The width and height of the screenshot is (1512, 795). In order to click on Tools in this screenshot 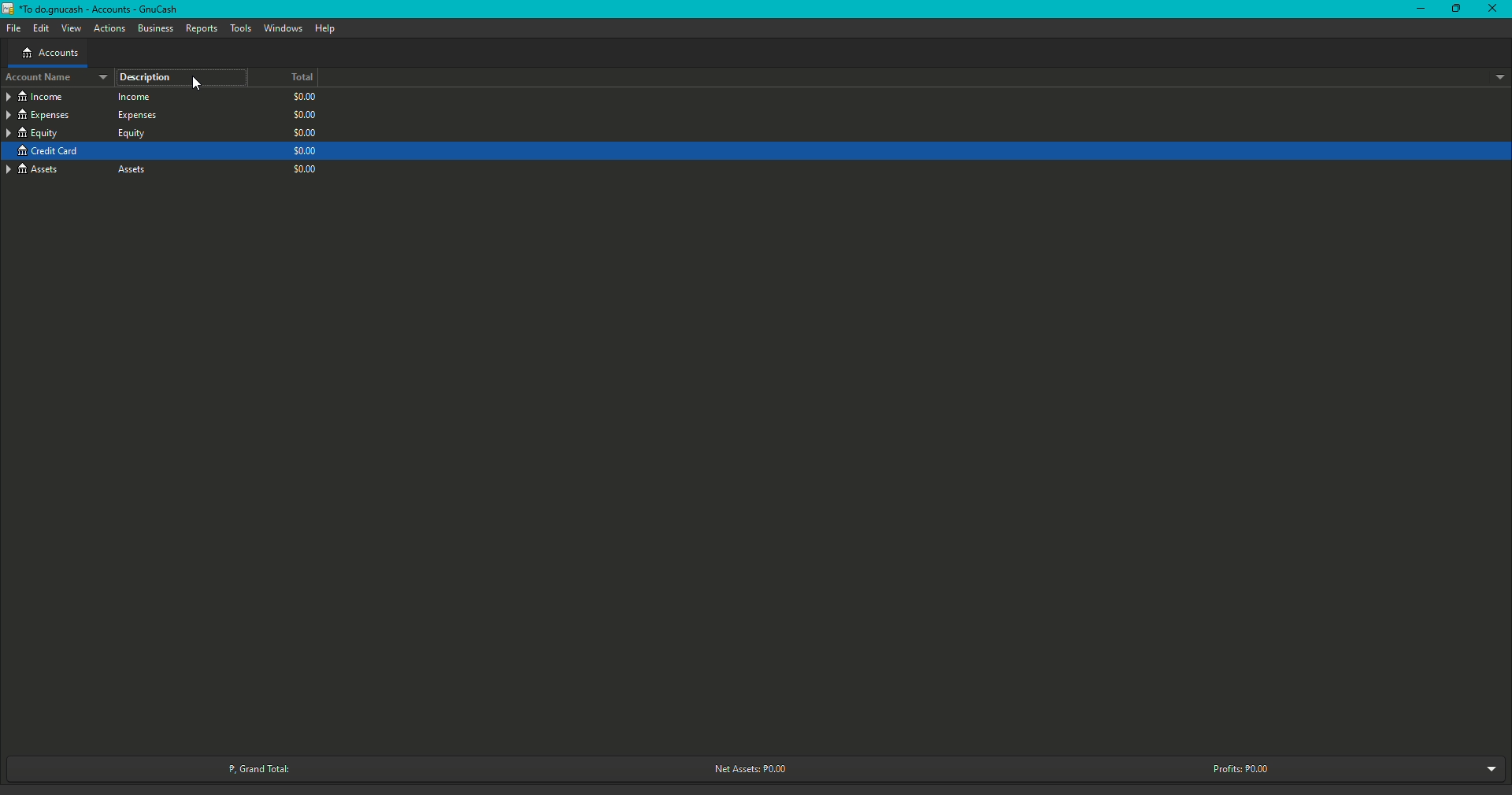, I will do `click(238, 28)`.